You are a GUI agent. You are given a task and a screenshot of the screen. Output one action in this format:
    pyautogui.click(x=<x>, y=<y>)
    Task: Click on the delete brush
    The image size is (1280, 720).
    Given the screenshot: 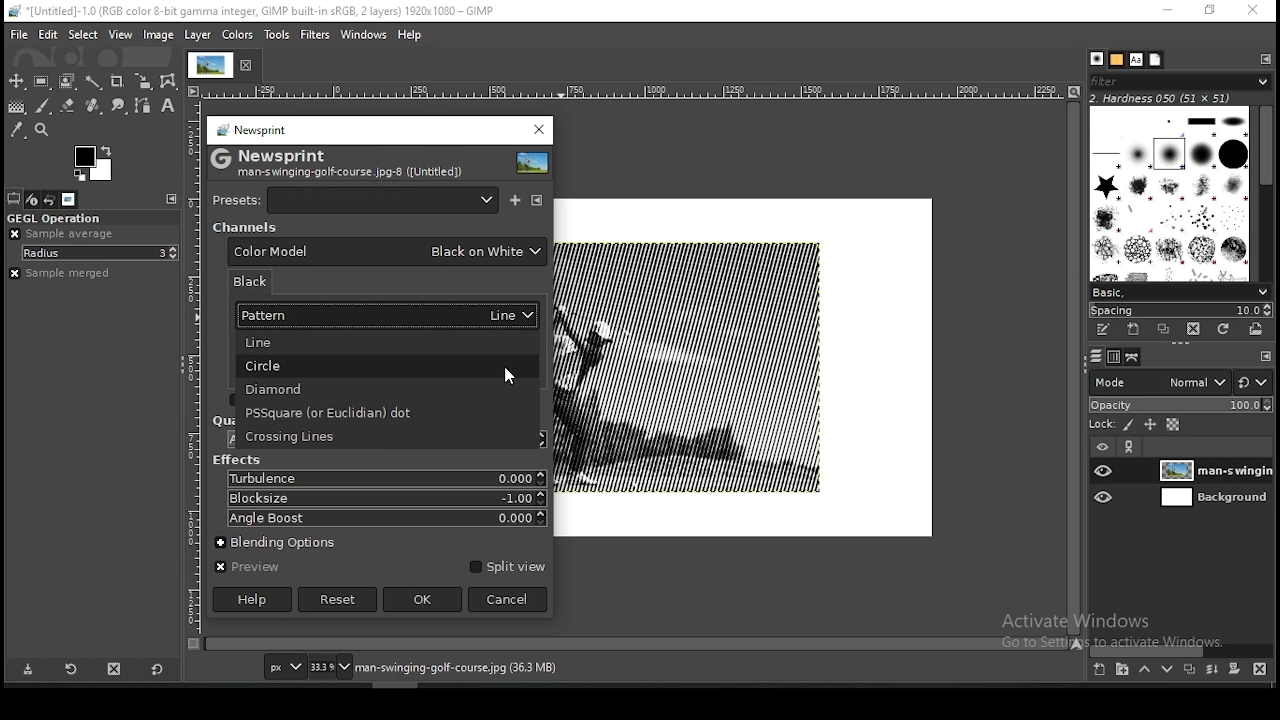 What is the action you would take?
    pyautogui.click(x=1193, y=329)
    